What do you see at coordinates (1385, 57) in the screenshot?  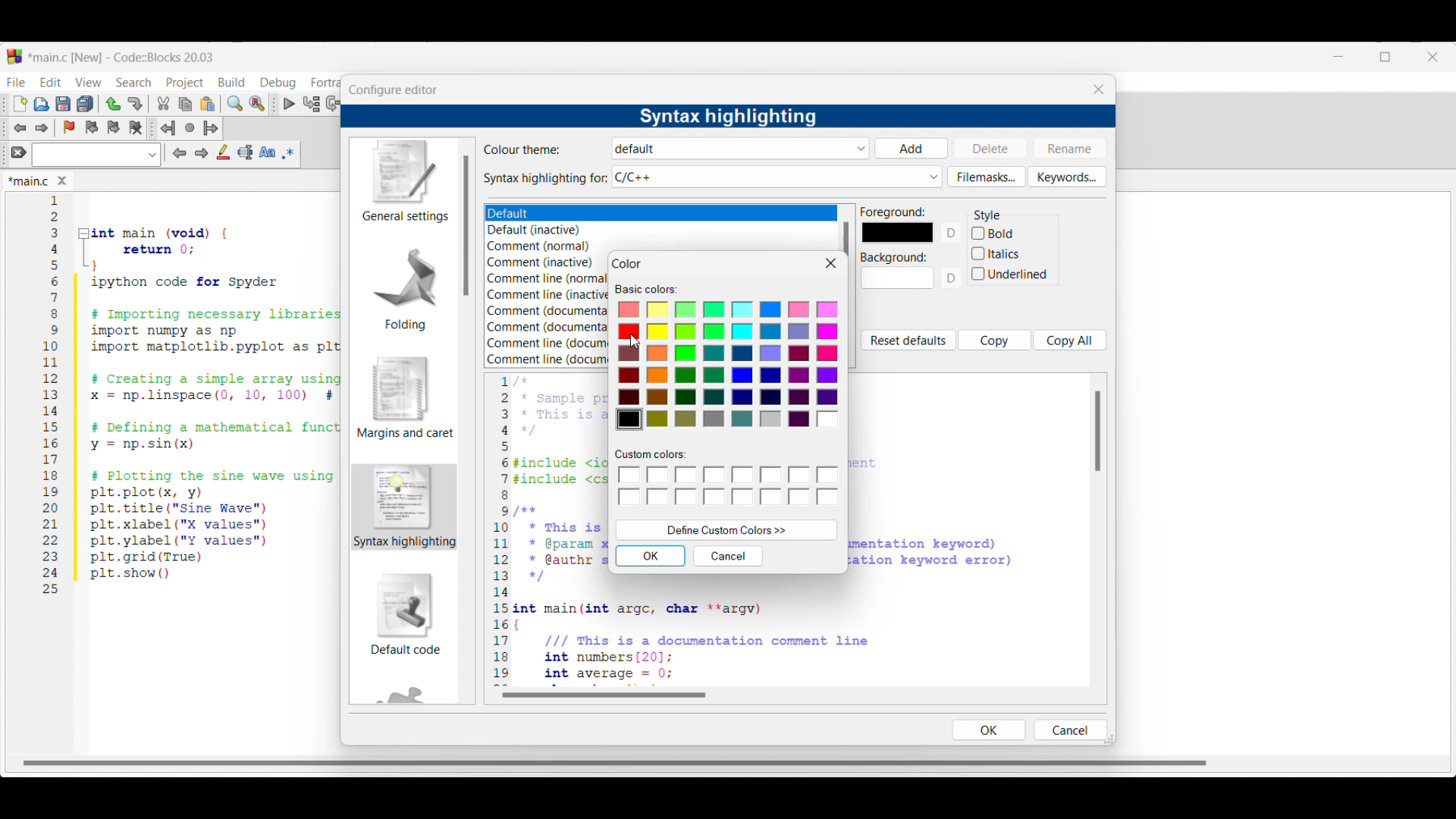 I see `Change tab dimension` at bounding box center [1385, 57].